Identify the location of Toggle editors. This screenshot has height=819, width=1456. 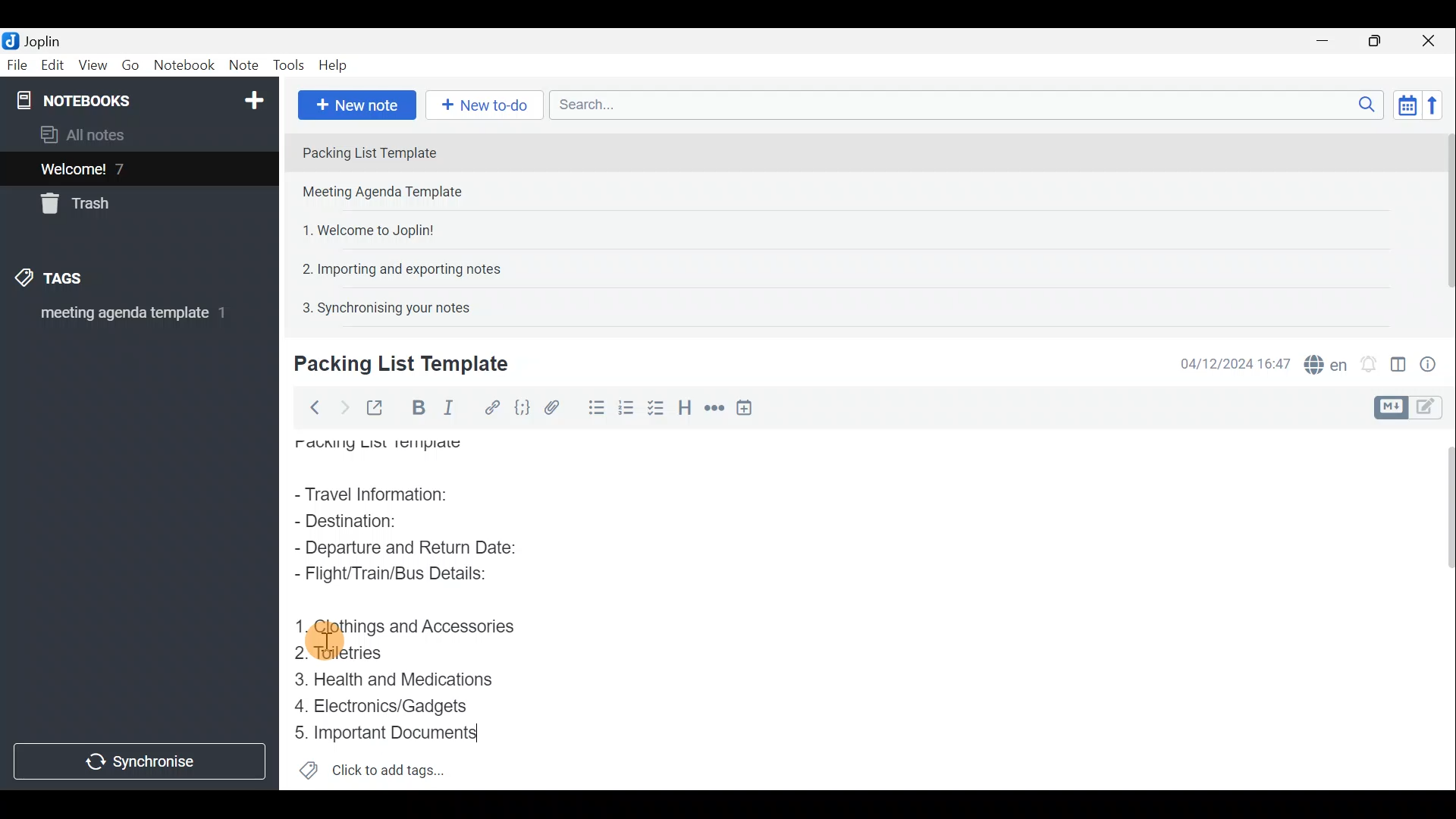
(1393, 406).